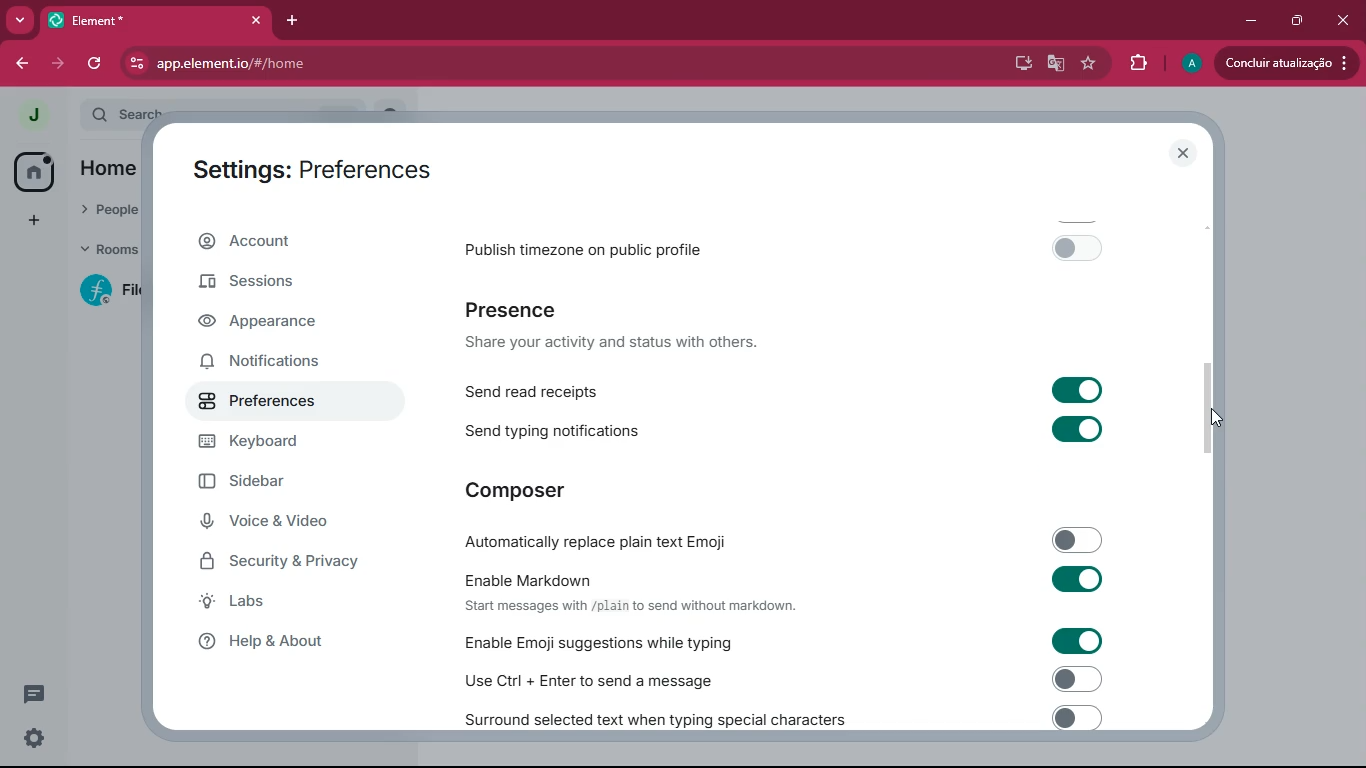 The height and width of the screenshot is (768, 1366). I want to click on profile, so click(31, 113).